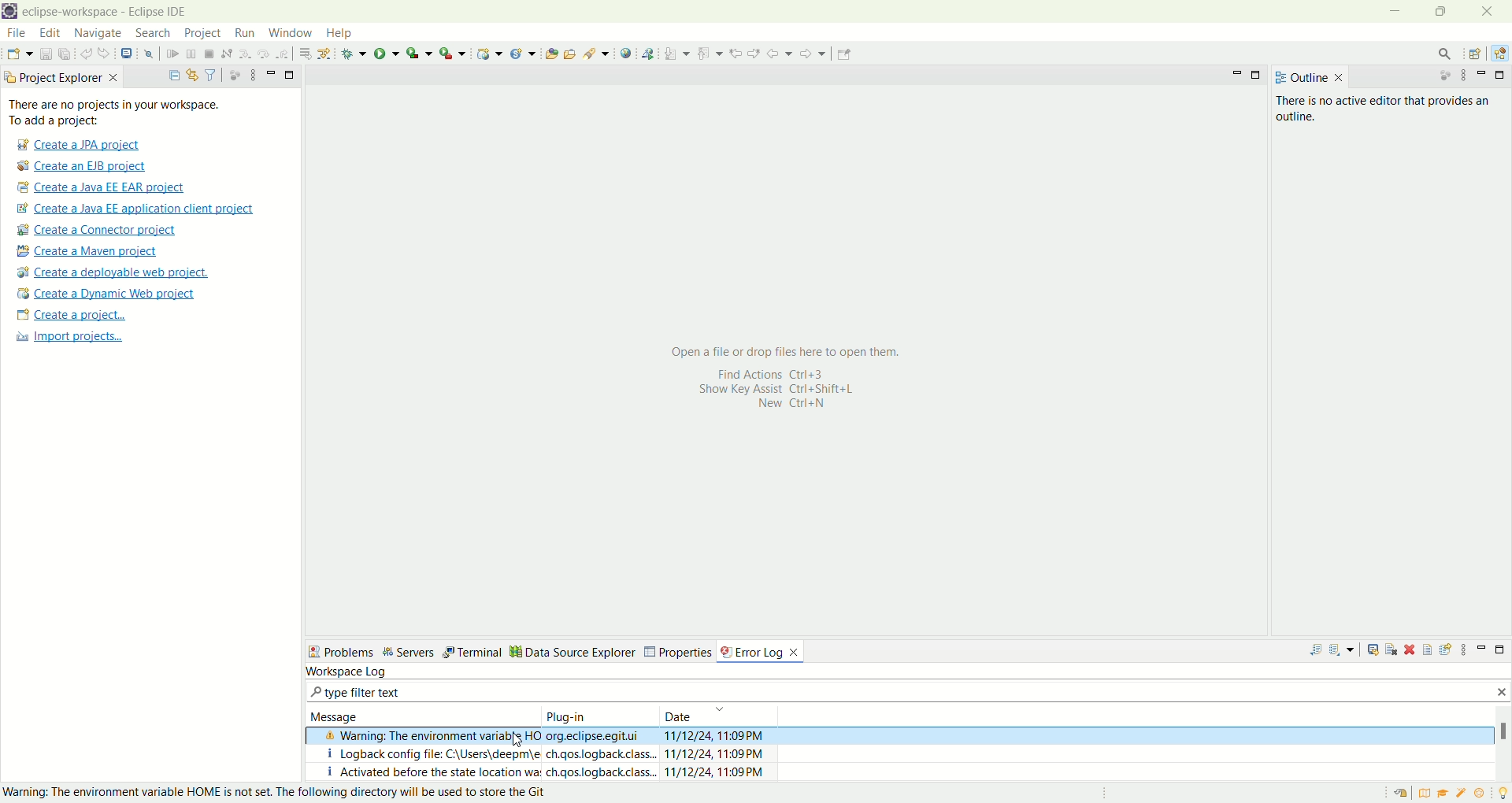 Image resolution: width=1512 pixels, height=803 pixels. I want to click on terminal, so click(489, 650).